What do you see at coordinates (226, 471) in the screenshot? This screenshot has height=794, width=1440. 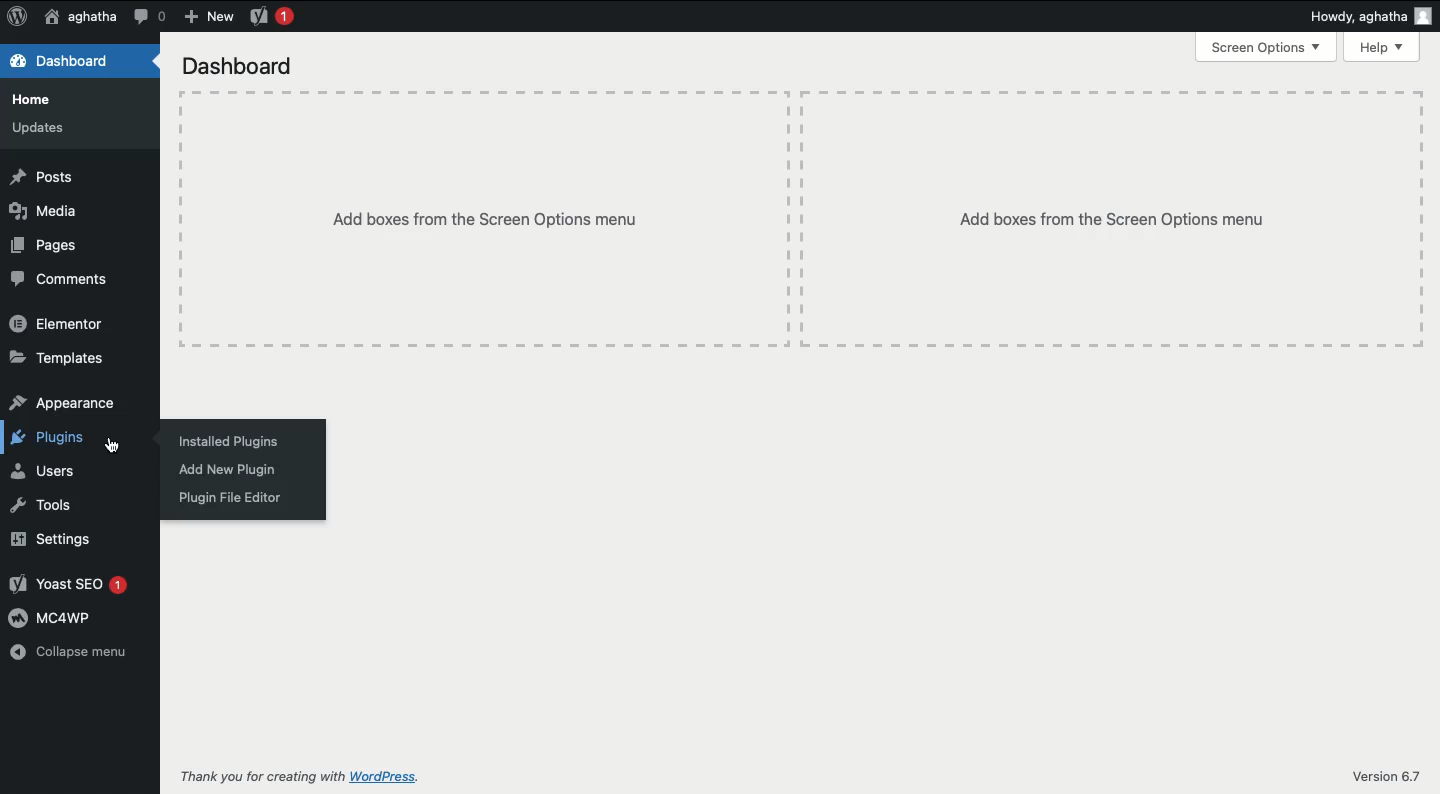 I see `Add new plugin` at bounding box center [226, 471].